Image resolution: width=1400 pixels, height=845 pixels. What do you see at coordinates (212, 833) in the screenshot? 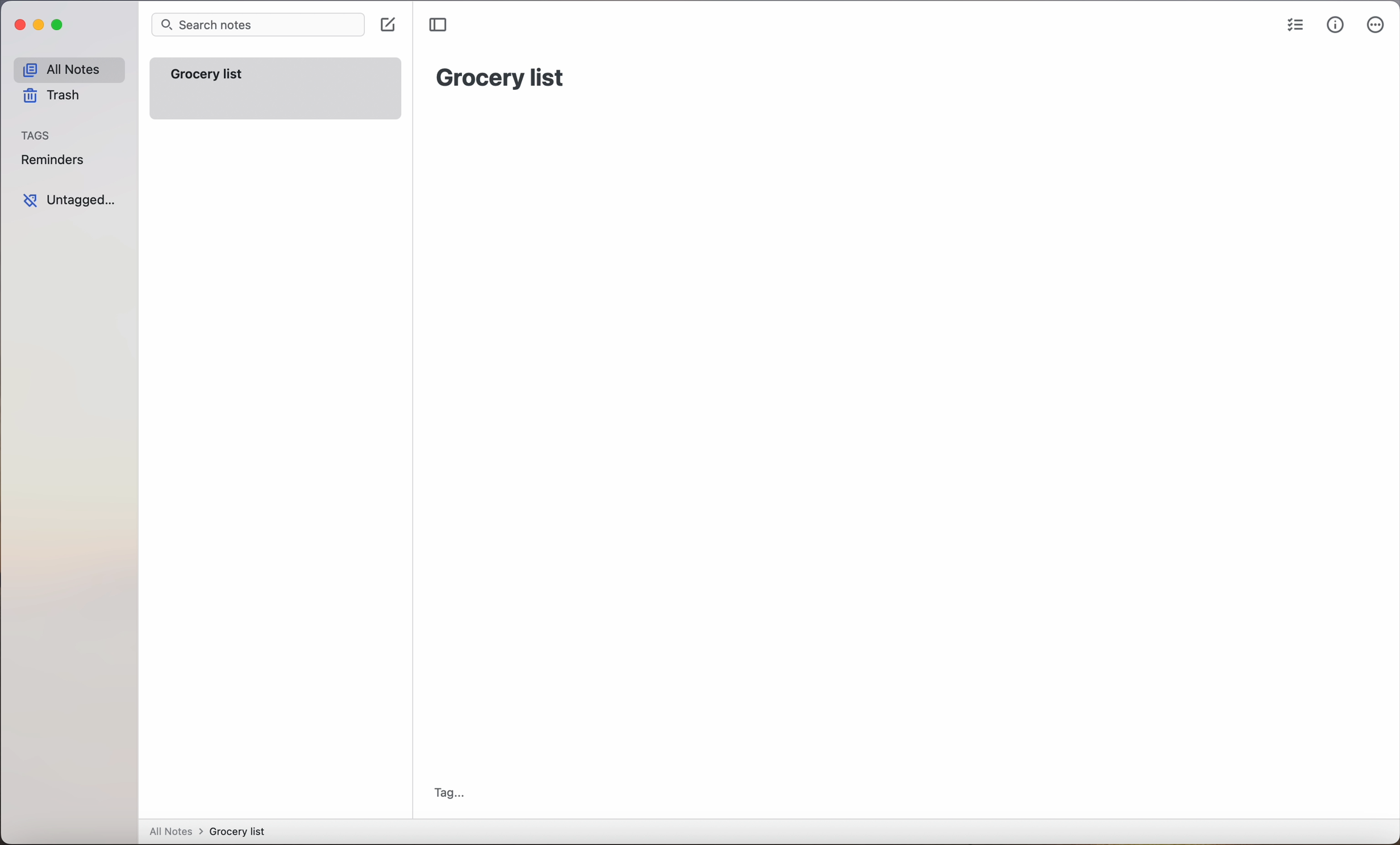
I see `all notes > grocery list` at bounding box center [212, 833].